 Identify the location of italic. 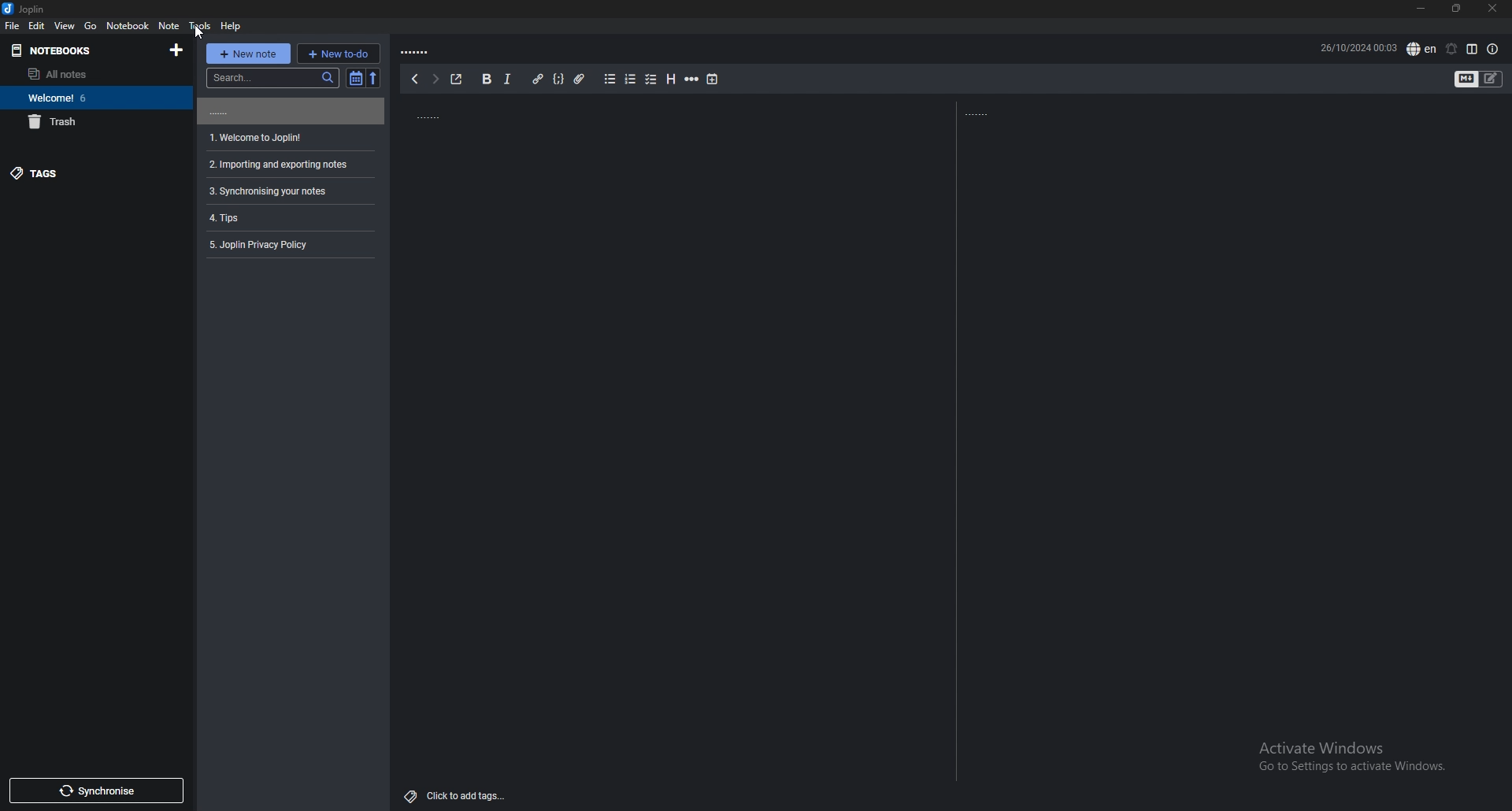
(507, 79).